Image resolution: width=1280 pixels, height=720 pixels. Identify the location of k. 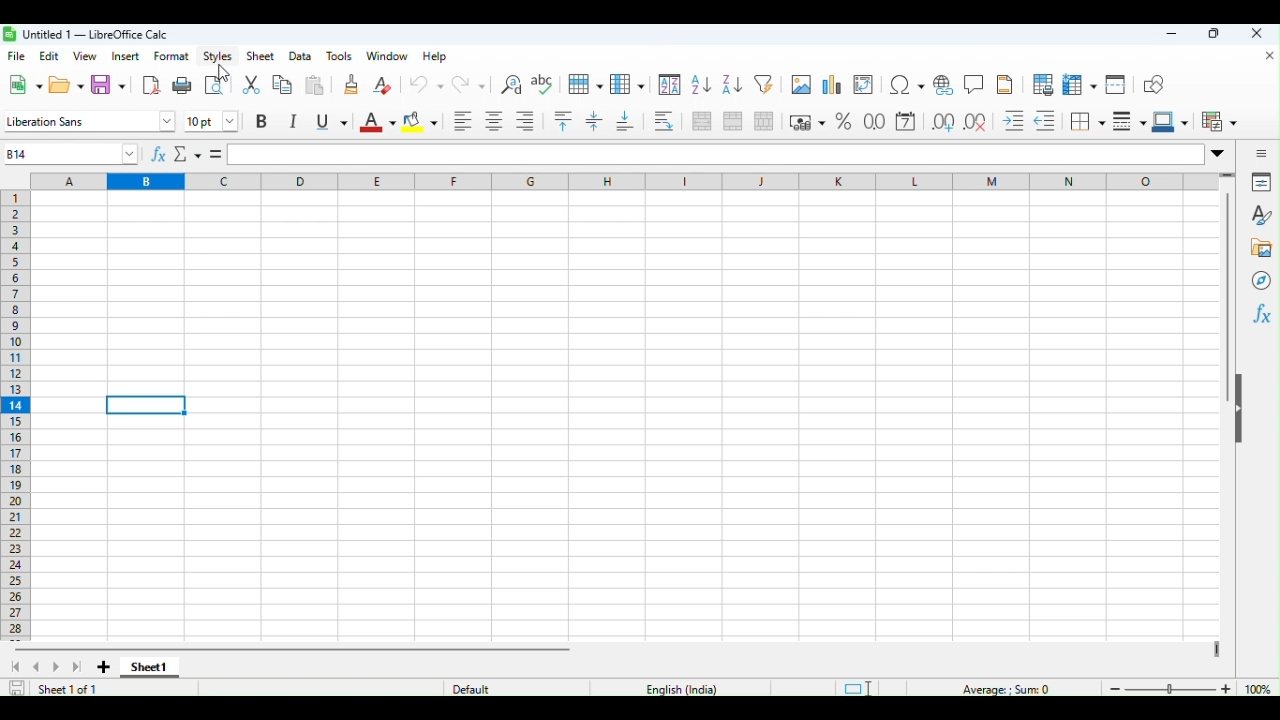
(838, 182).